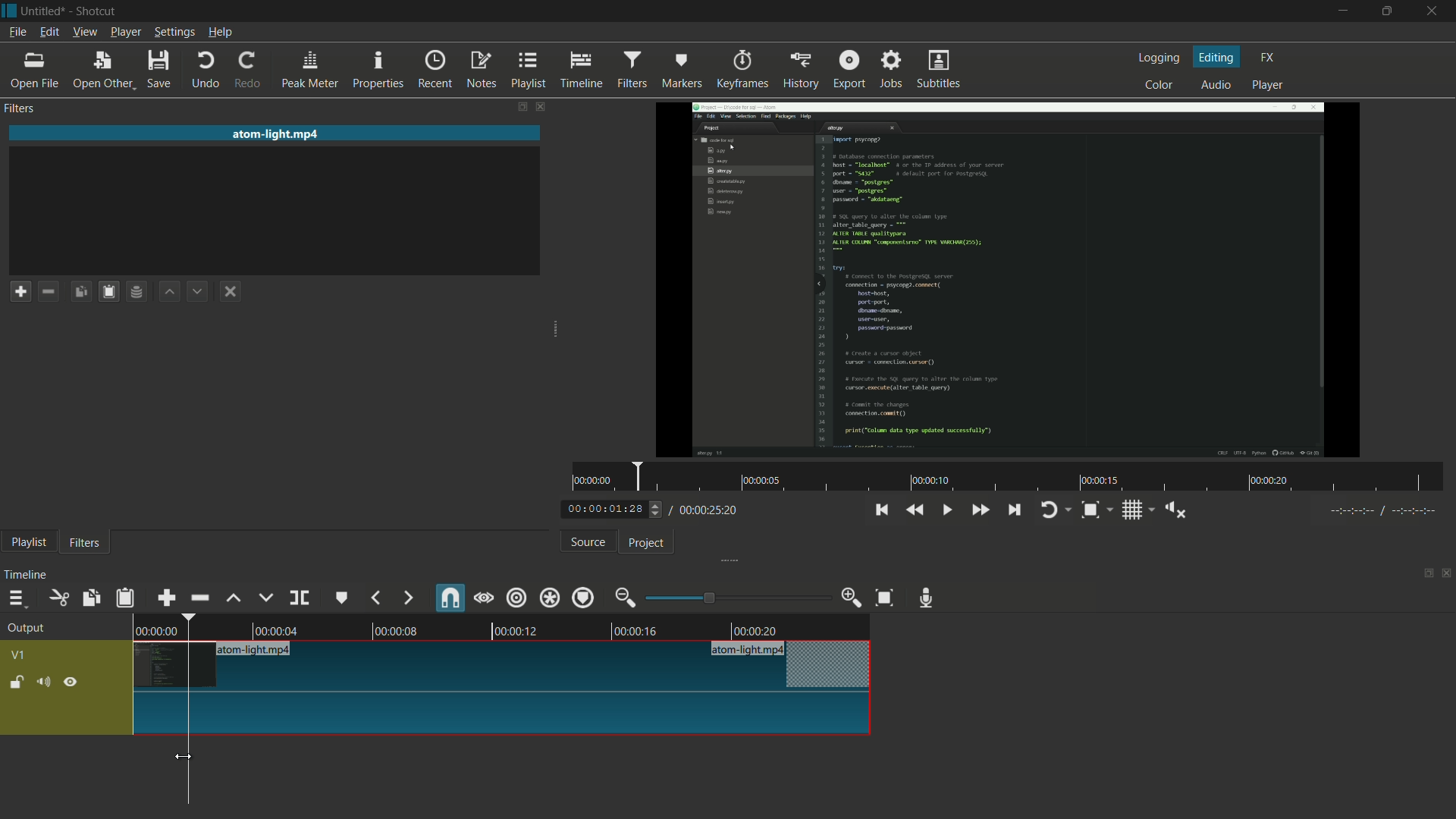 The height and width of the screenshot is (819, 1456). Describe the element at coordinates (1390, 11) in the screenshot. I see `maximize` at that location.